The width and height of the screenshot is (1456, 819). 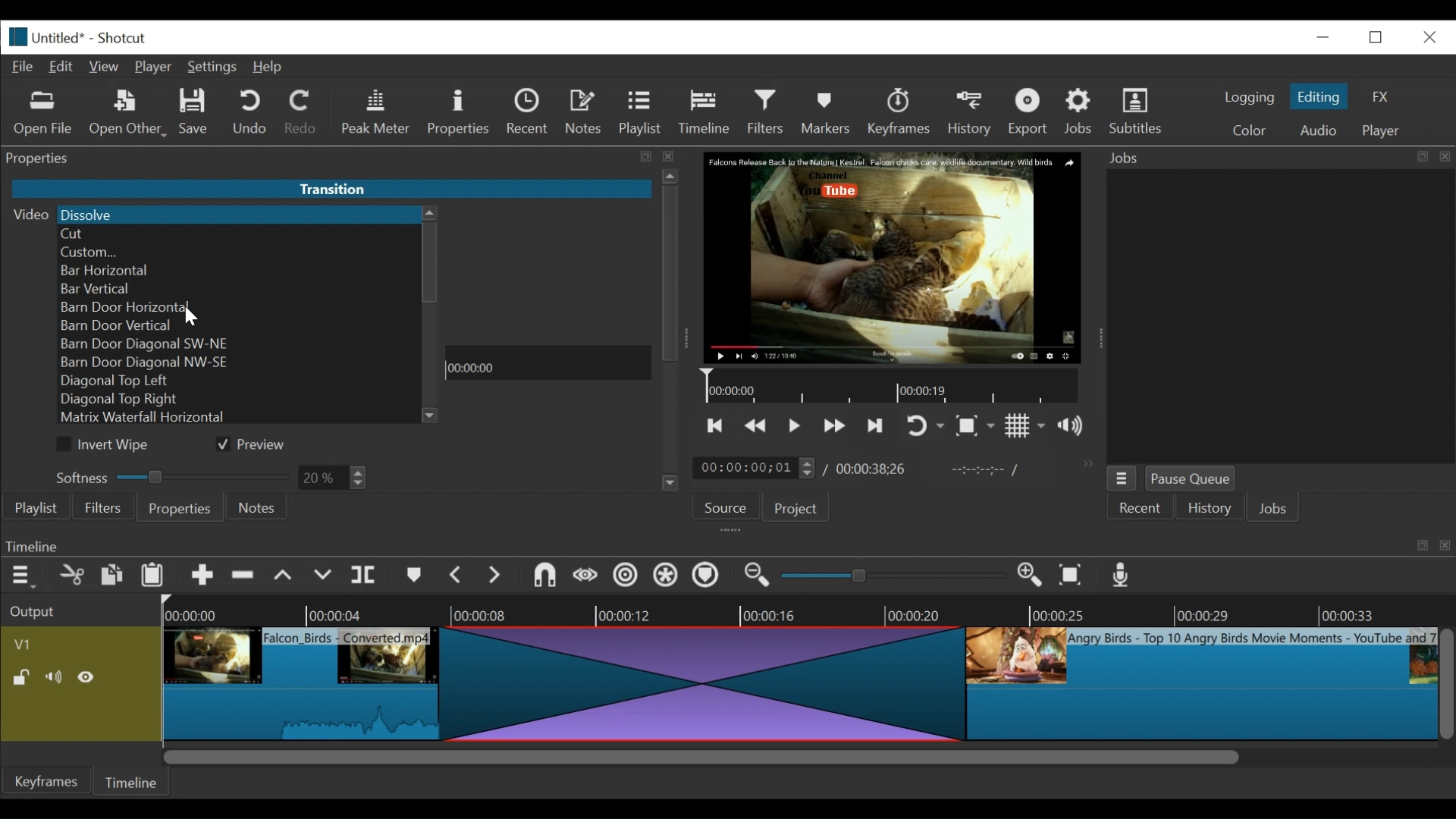 What do you see at coordinates (105, 67) in the screenshot?
I see `View` at bounding box center [105, 67].